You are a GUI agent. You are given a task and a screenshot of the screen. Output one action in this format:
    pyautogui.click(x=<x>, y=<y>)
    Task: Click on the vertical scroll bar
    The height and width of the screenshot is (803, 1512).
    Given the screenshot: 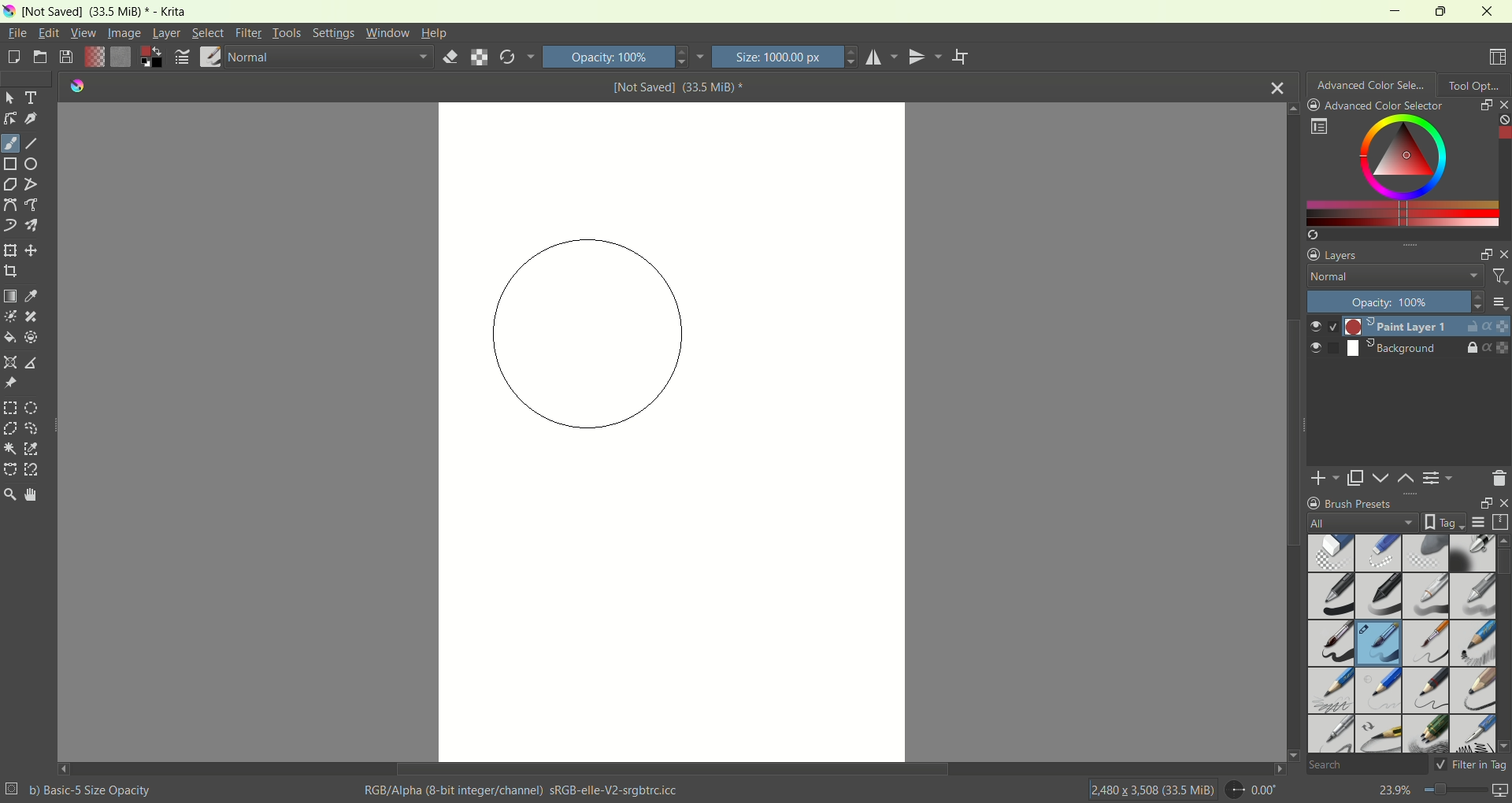 What is the action you would take?
    pyautogui.click(x=1503, y=643)
    